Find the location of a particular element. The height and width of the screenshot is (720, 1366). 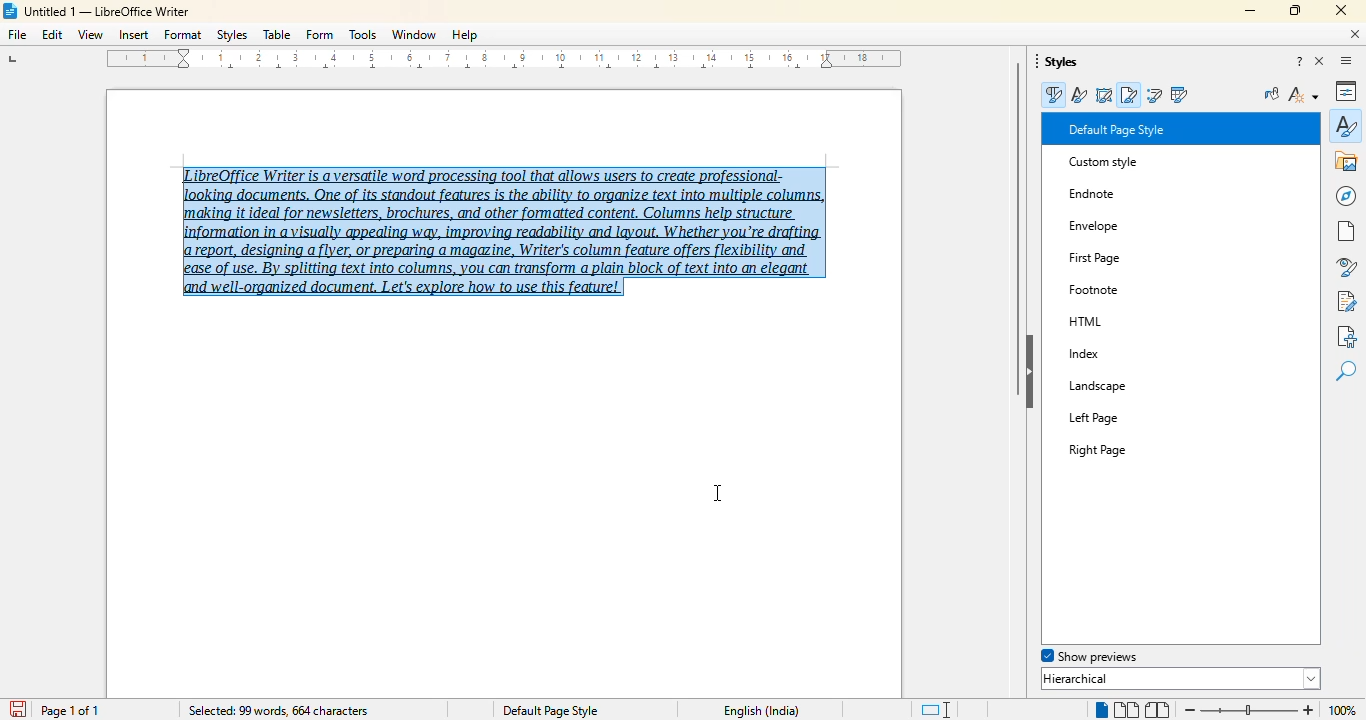

Left Page is located at coordinates (1122, 384).